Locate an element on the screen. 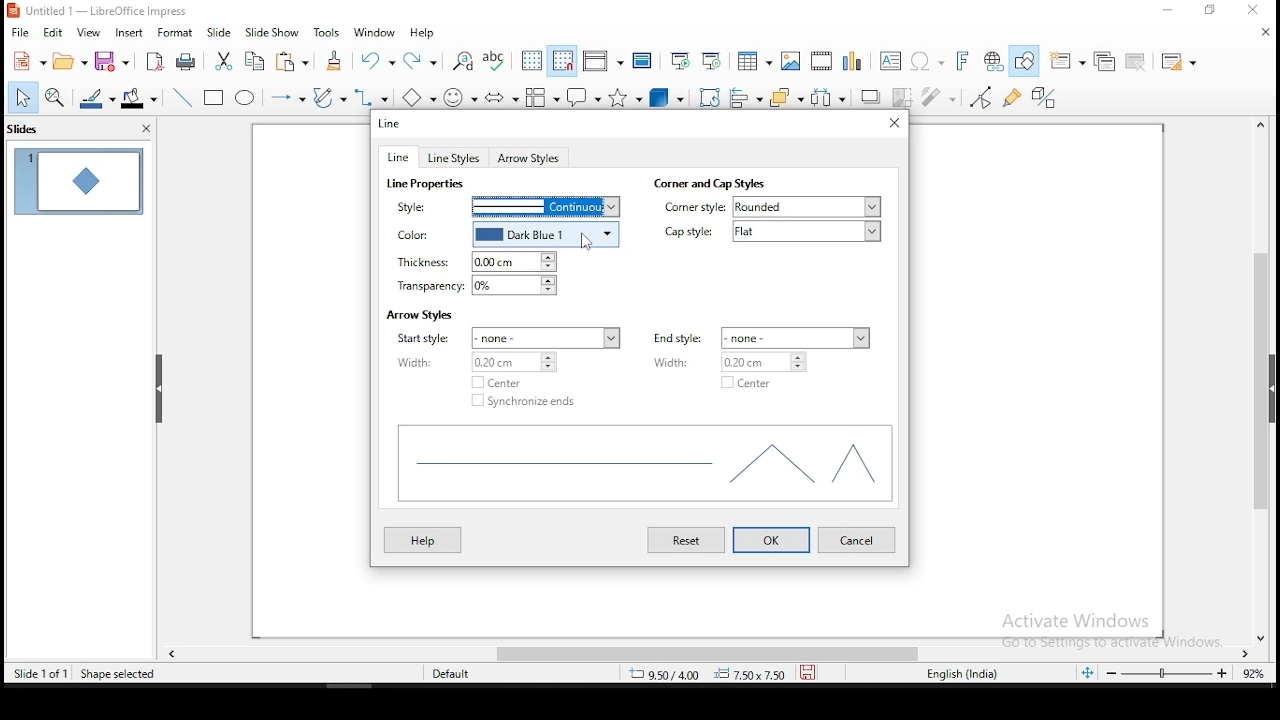 The height and width of the screenshot is (720, 1280). show draw functions is located at coordinates (1026, 60).